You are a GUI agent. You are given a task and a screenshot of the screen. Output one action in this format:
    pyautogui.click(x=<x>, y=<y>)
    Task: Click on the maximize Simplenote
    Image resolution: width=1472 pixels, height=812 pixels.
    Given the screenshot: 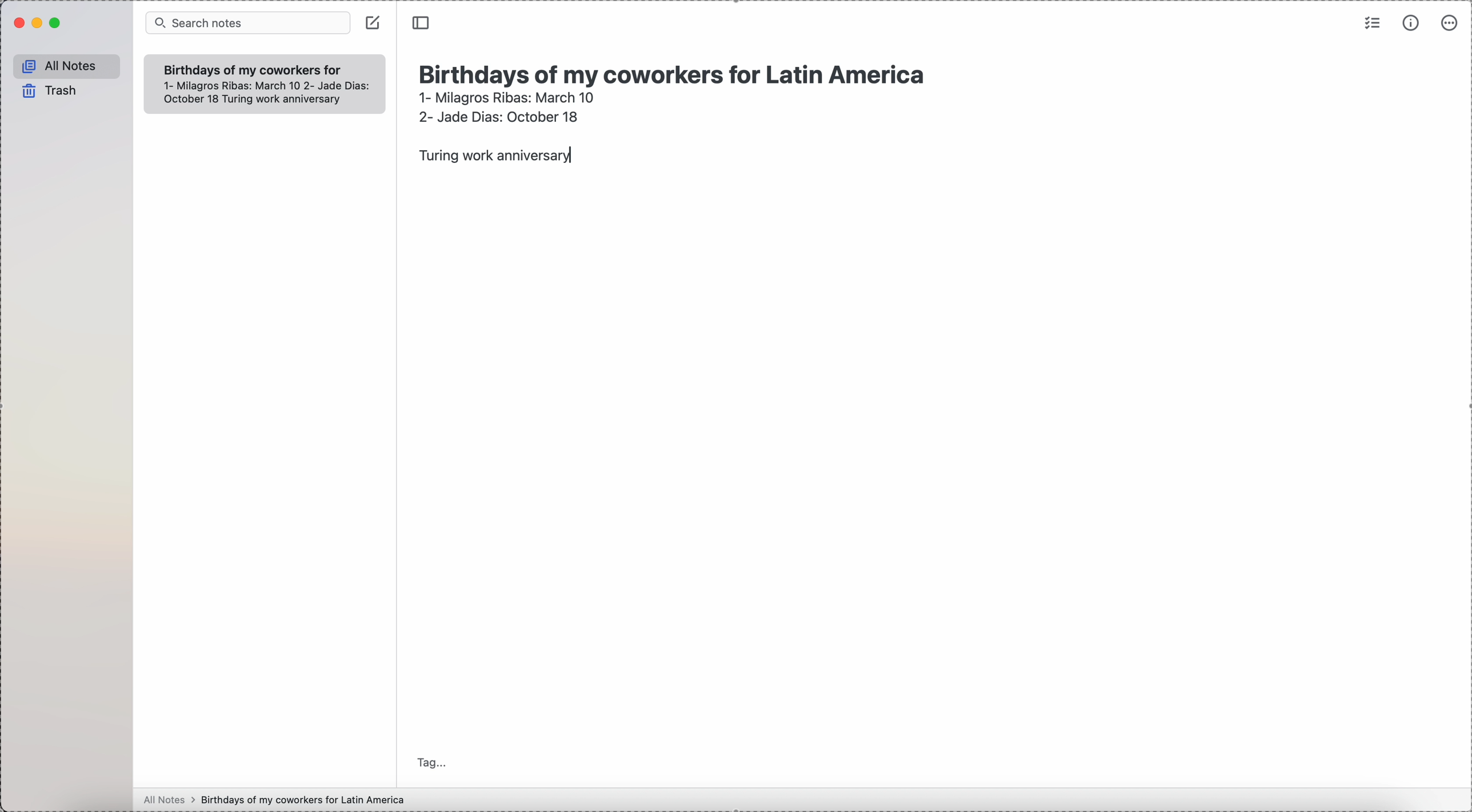 What is the action you would take?
    pyautogui.click(x=56, y=23)
    